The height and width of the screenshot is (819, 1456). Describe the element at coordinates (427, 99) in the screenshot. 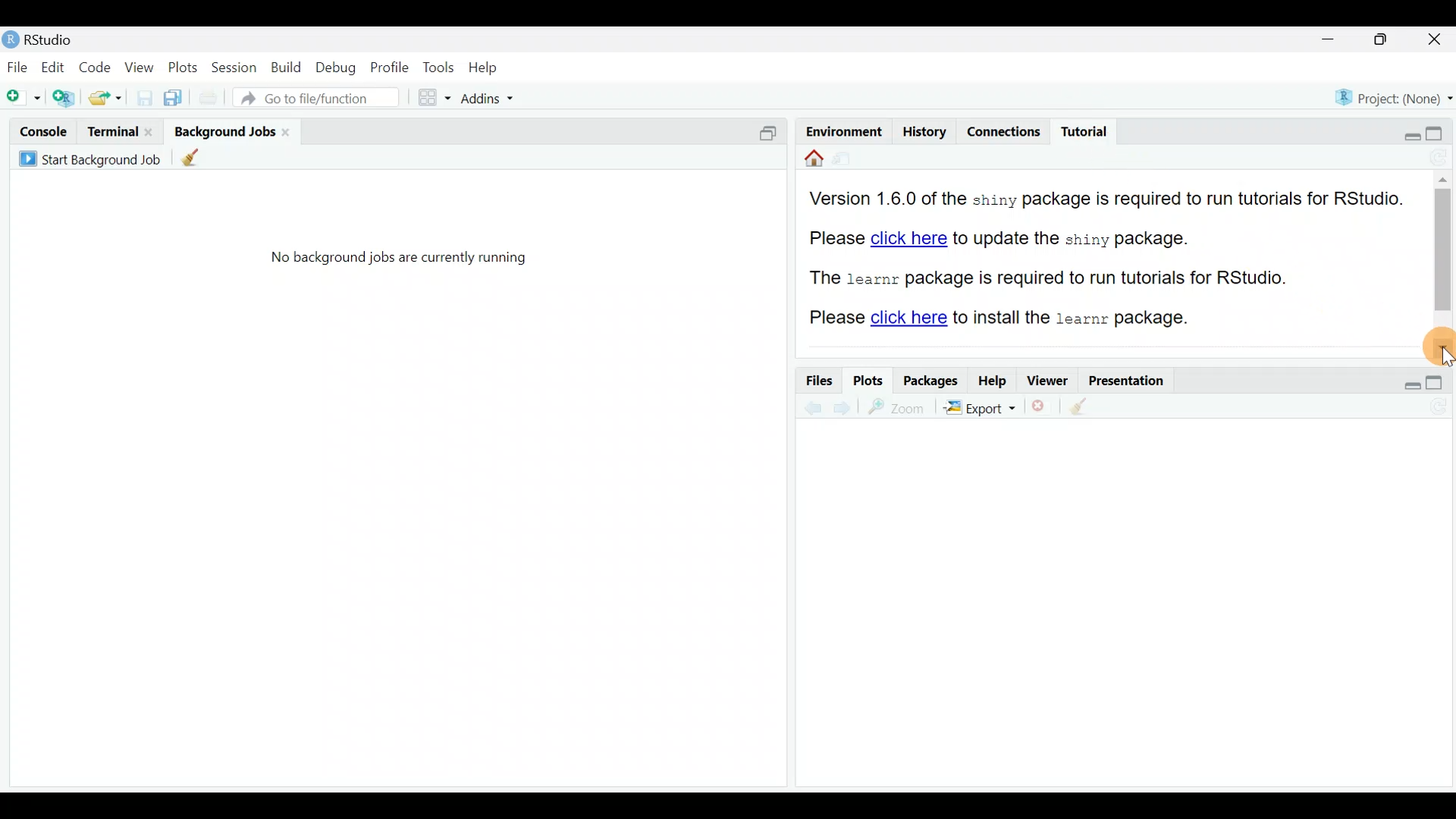

I see `Workspace panes` at that location.